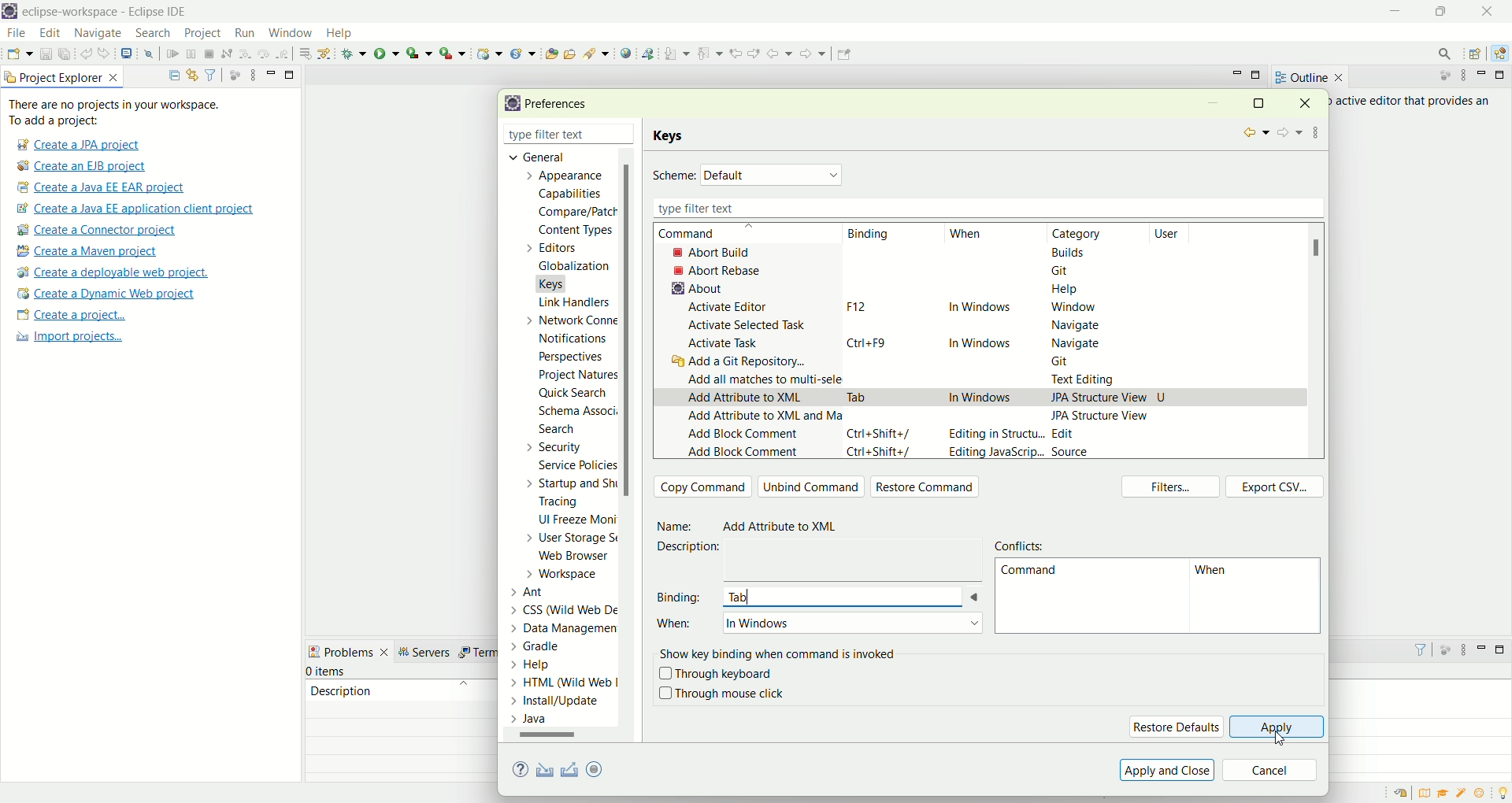  Describe the element at coordinates (107, 54) in the screenshot. I see `redo` at that location.